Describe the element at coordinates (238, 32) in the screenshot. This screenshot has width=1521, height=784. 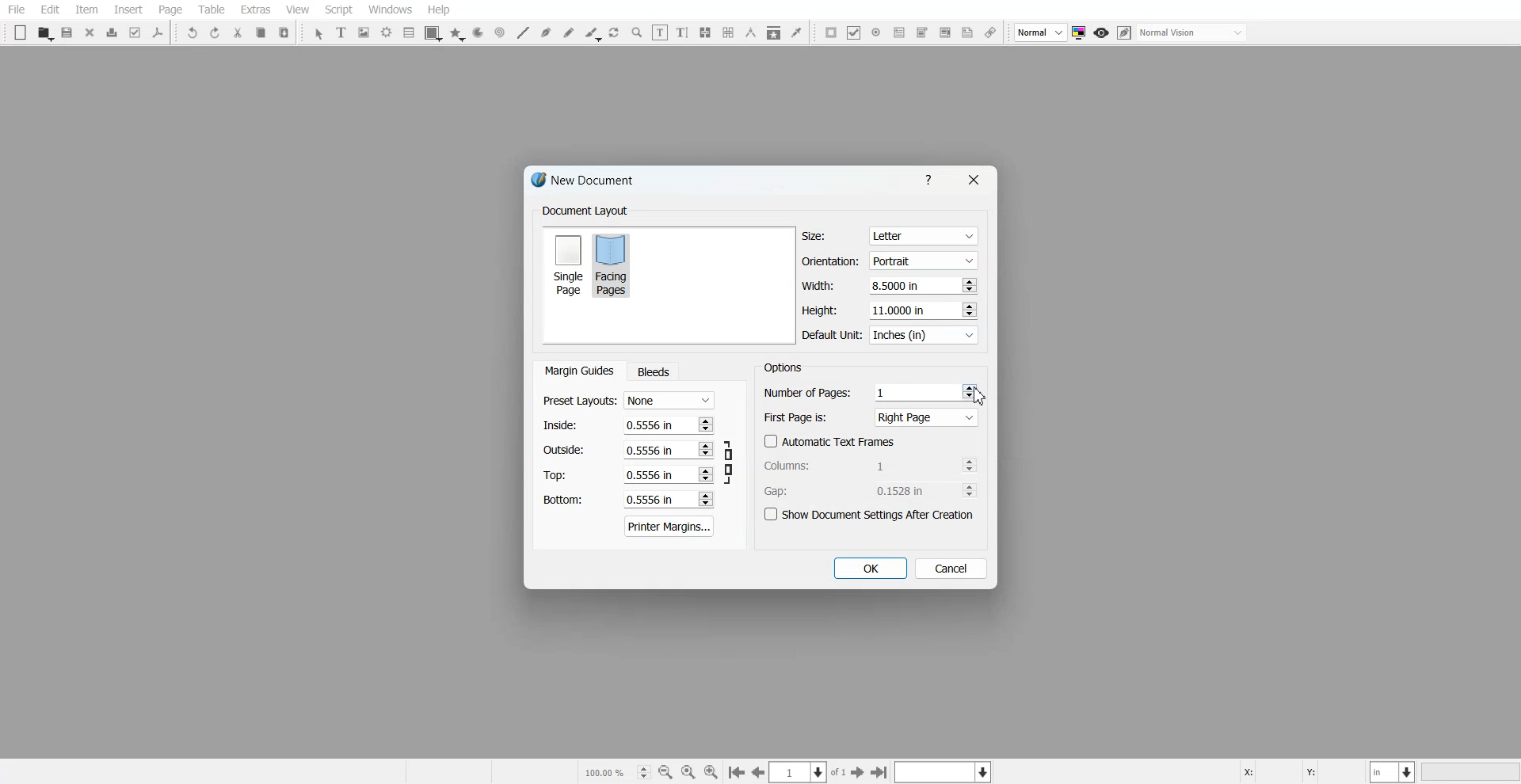
I see `Cut` at that location.